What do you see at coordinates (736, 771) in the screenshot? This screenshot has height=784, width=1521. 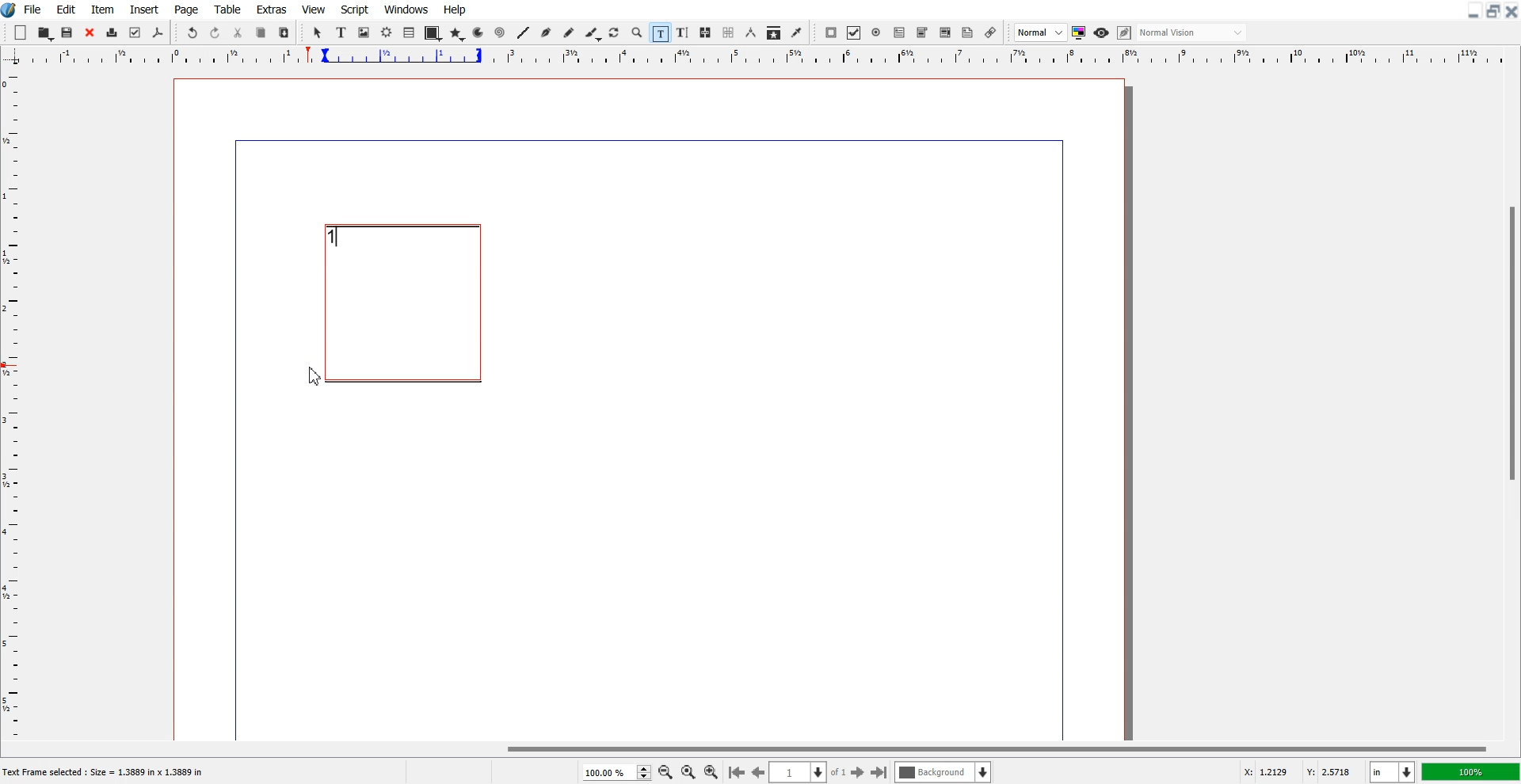 I see `Go to First Page` at bounding box center [736, 771].